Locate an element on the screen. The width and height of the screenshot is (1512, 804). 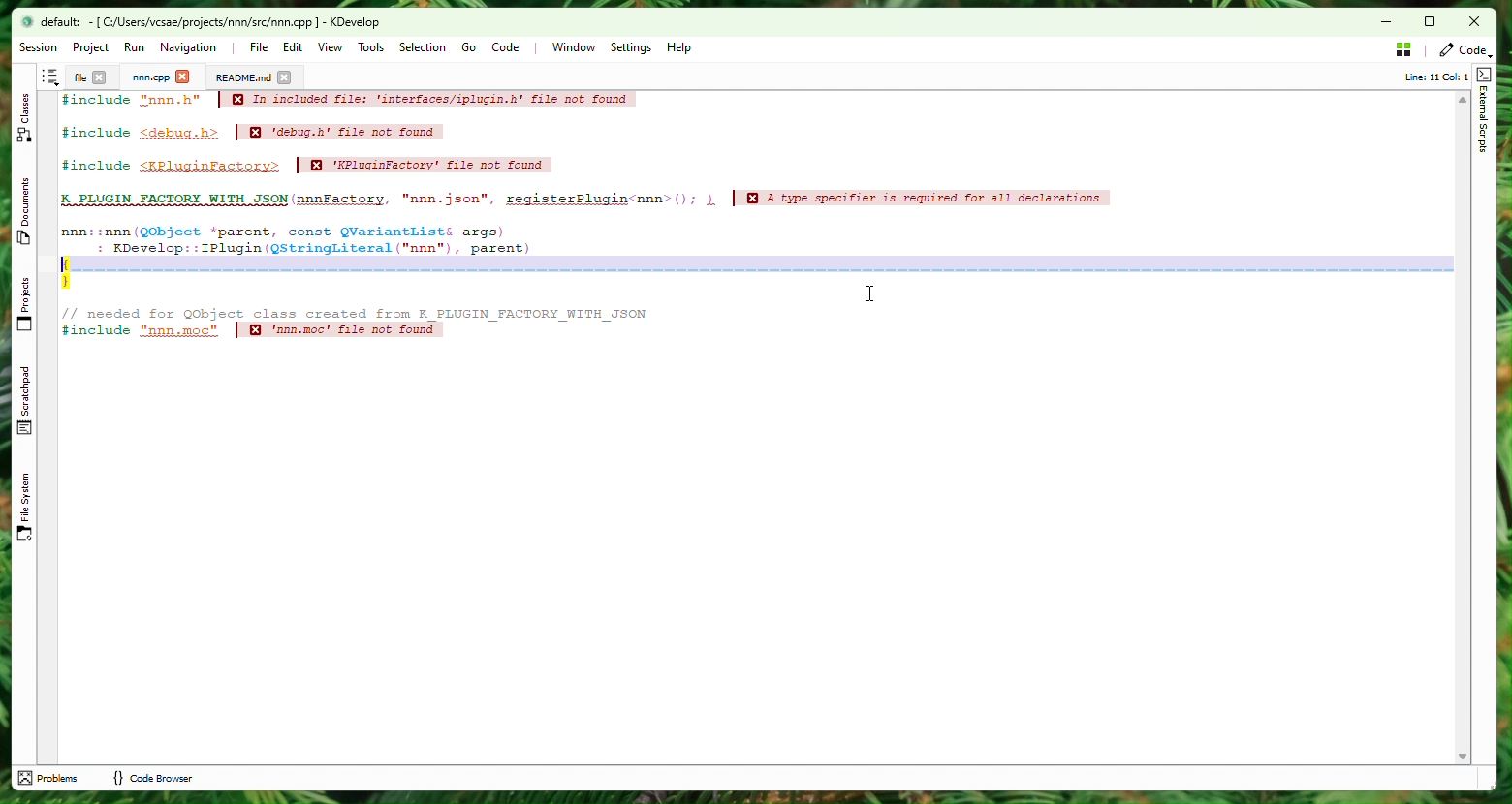
Scratchpad is located at coordinates (27, 401).